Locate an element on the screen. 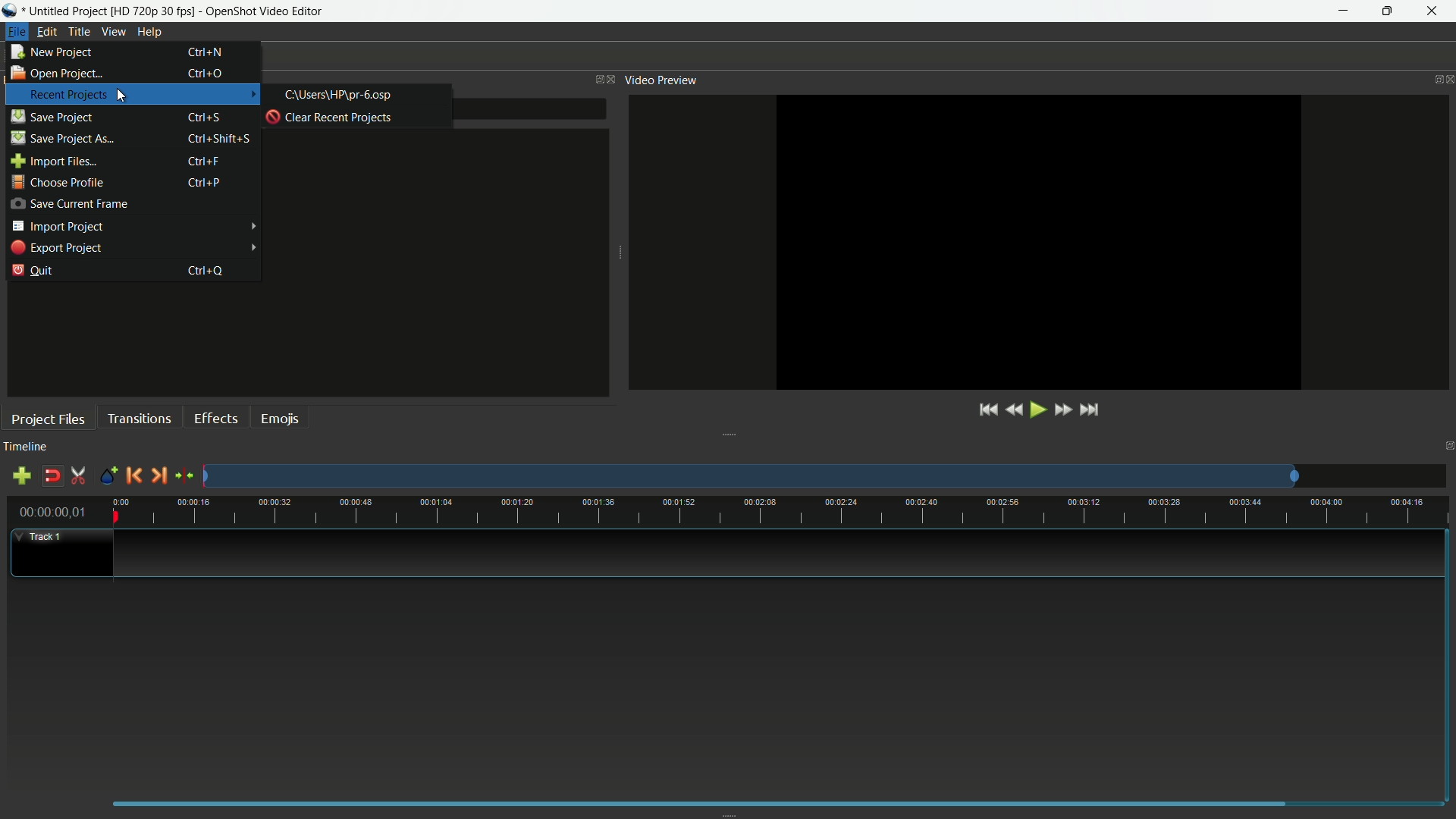 This screenshot has height=819, width=1456. current time is located at coordinates (52, 512).